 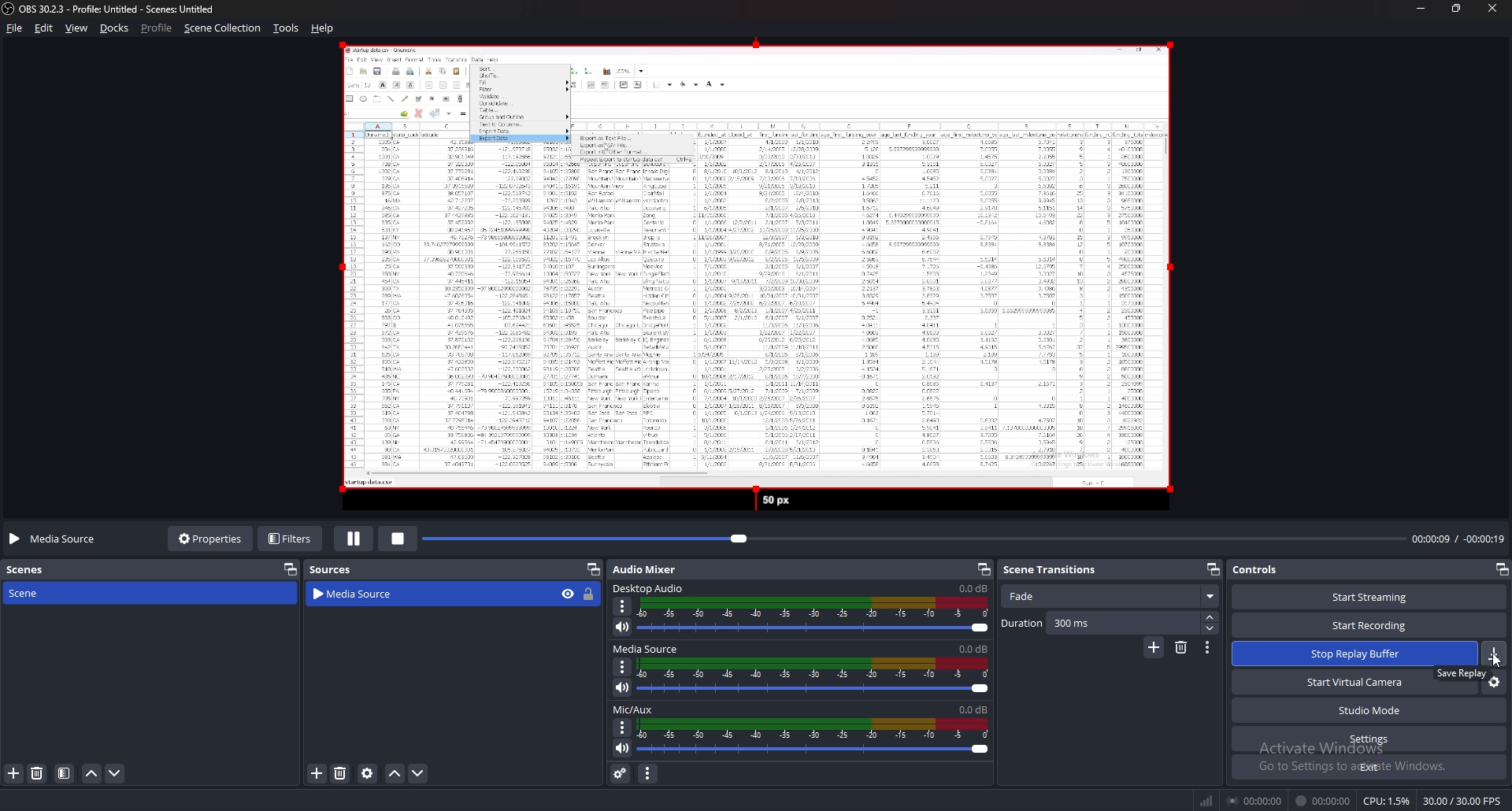 I want to click on desktop audio adjust, so click(x=814, y=616).